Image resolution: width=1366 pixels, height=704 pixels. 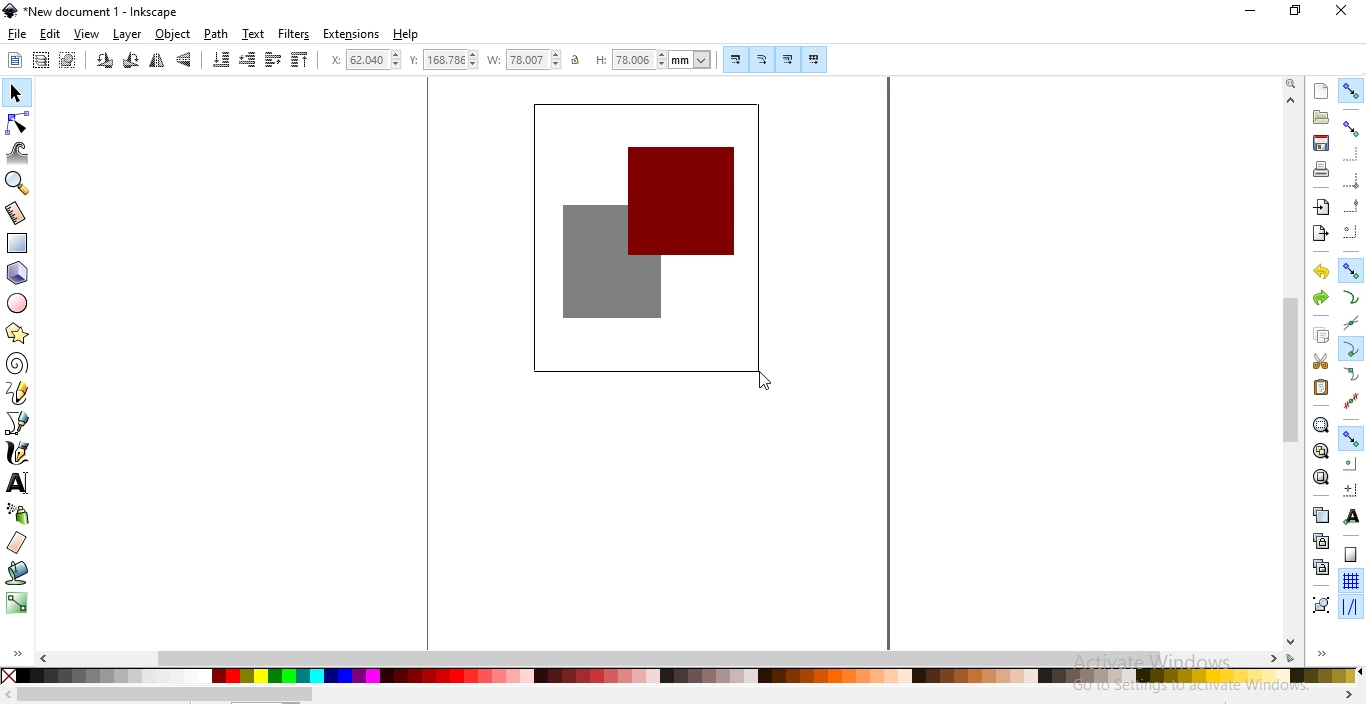 I want to click on tweak objects by sculpting or painting, so click(x=20, y=153).